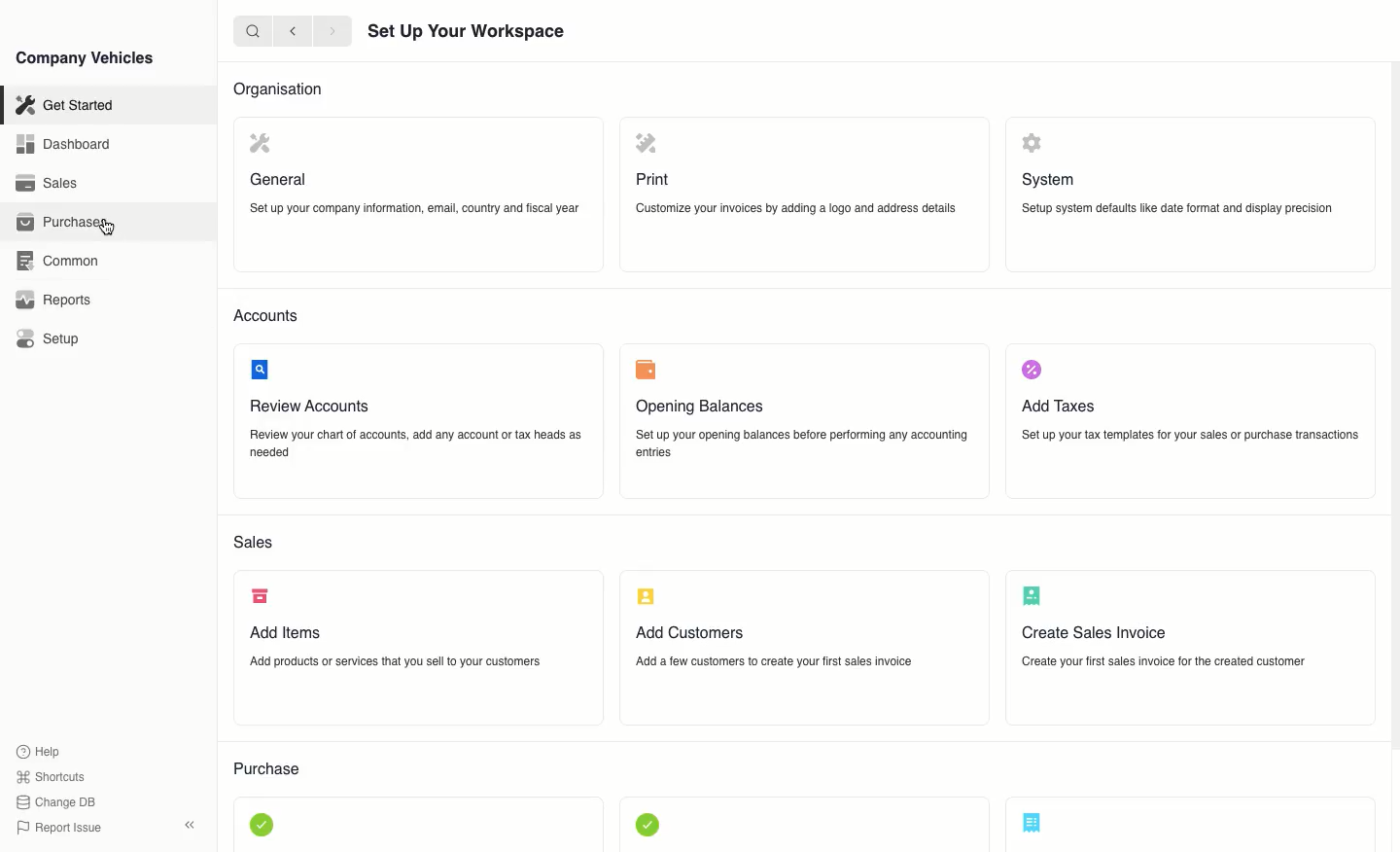 This screenshot has height=852, width=1400. What do you see at coordinates (653, 180) in the screenshot?
I see `Print` at bounding box center [653, 180].